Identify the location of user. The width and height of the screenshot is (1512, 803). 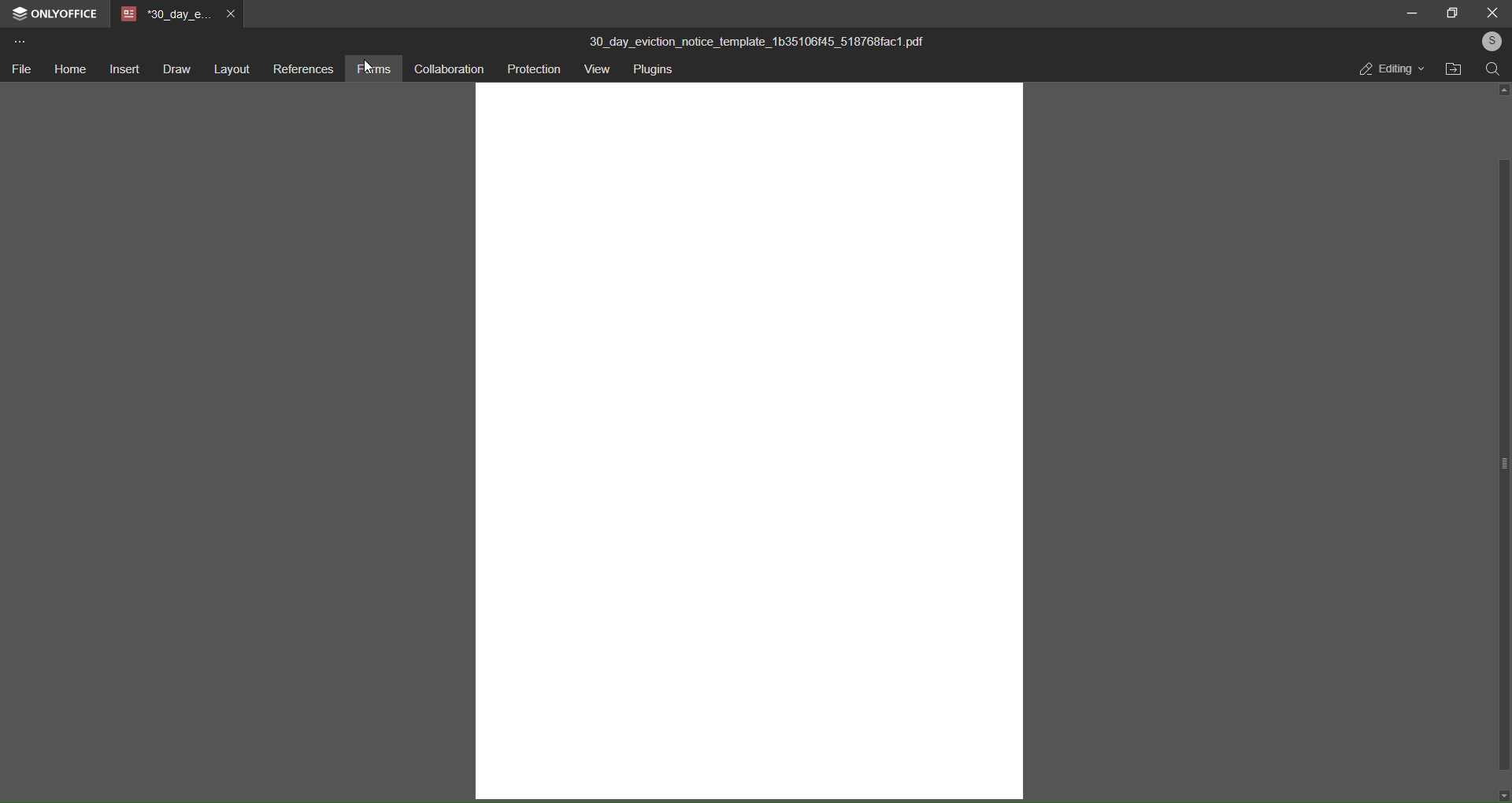
(1491, 40).